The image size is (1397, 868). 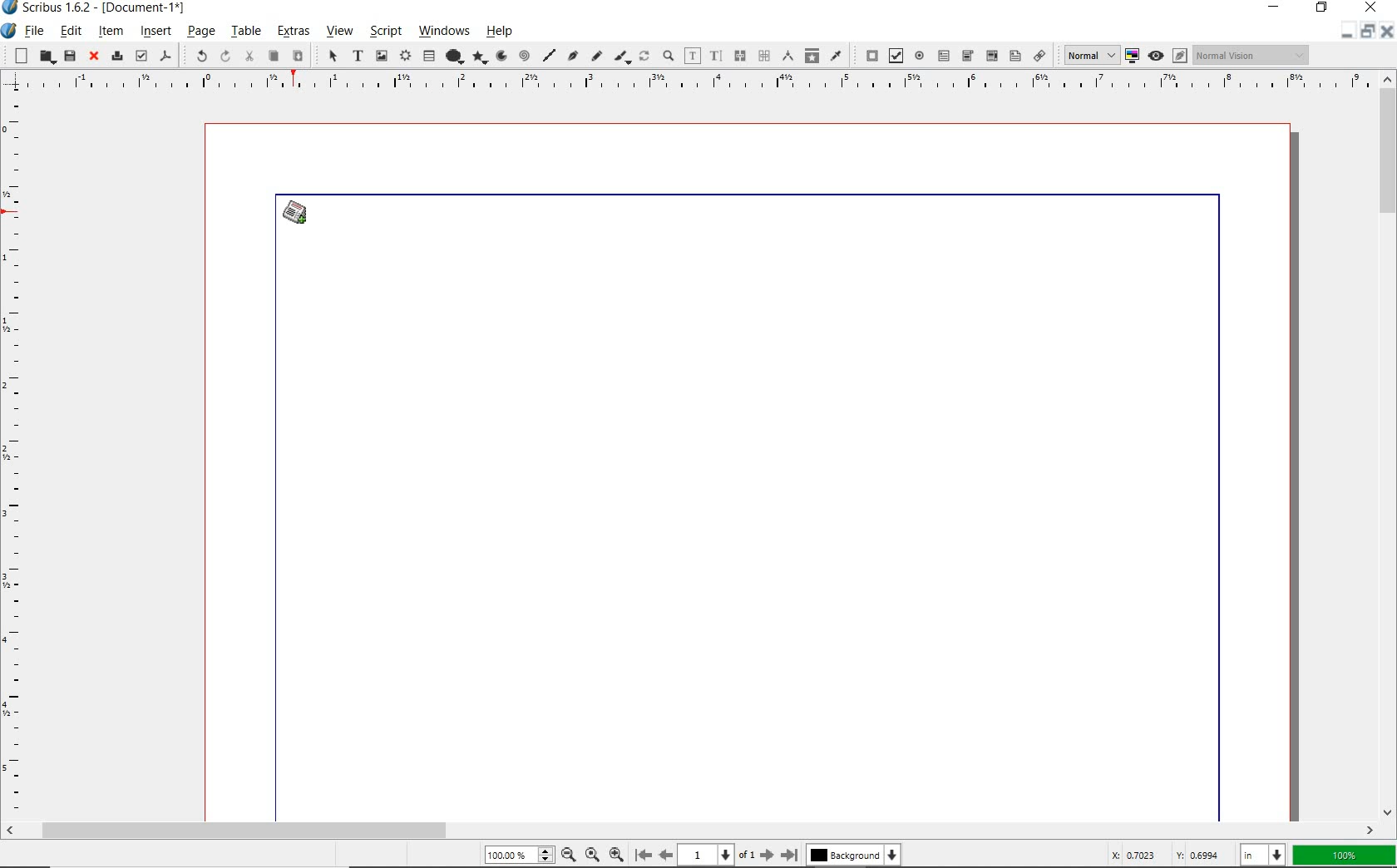 What do you see at coordinates (72, 32) in the screenshot?
I see `edit` at bounding box center [72, 32].